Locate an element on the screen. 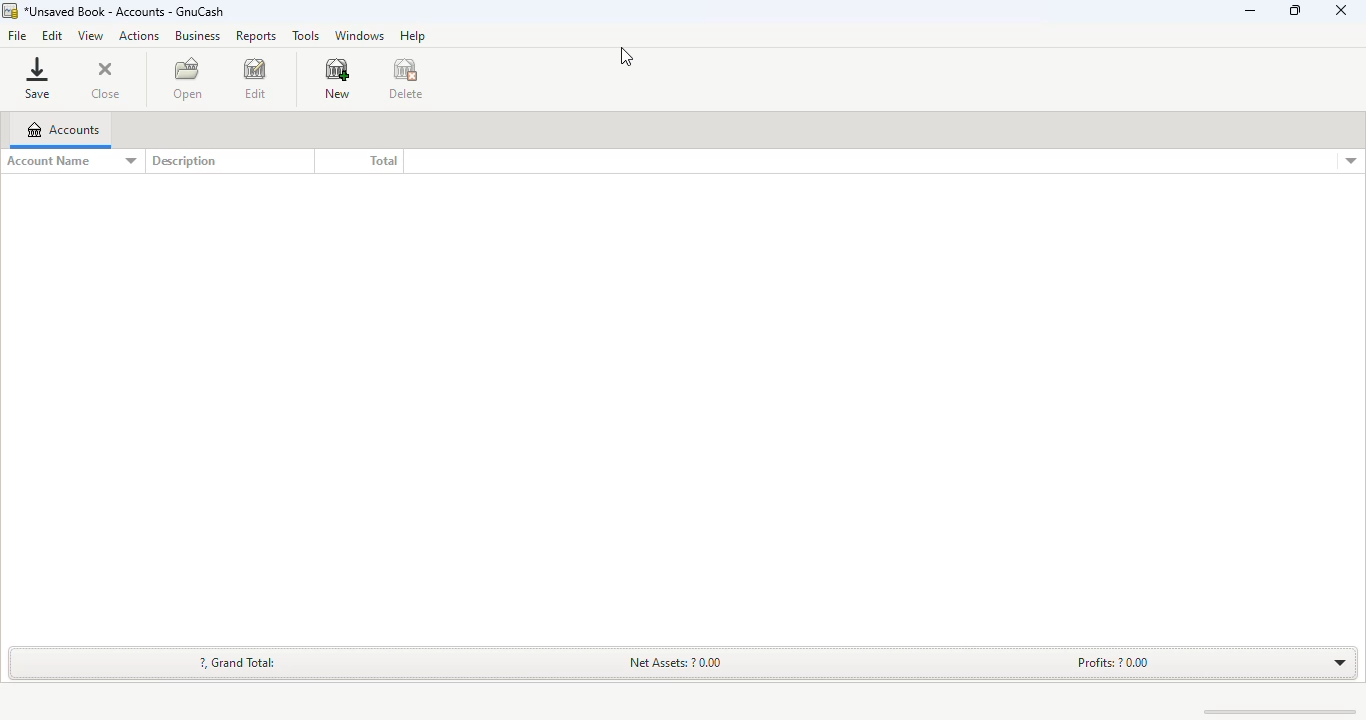  new is located at coordinates (337, 79).